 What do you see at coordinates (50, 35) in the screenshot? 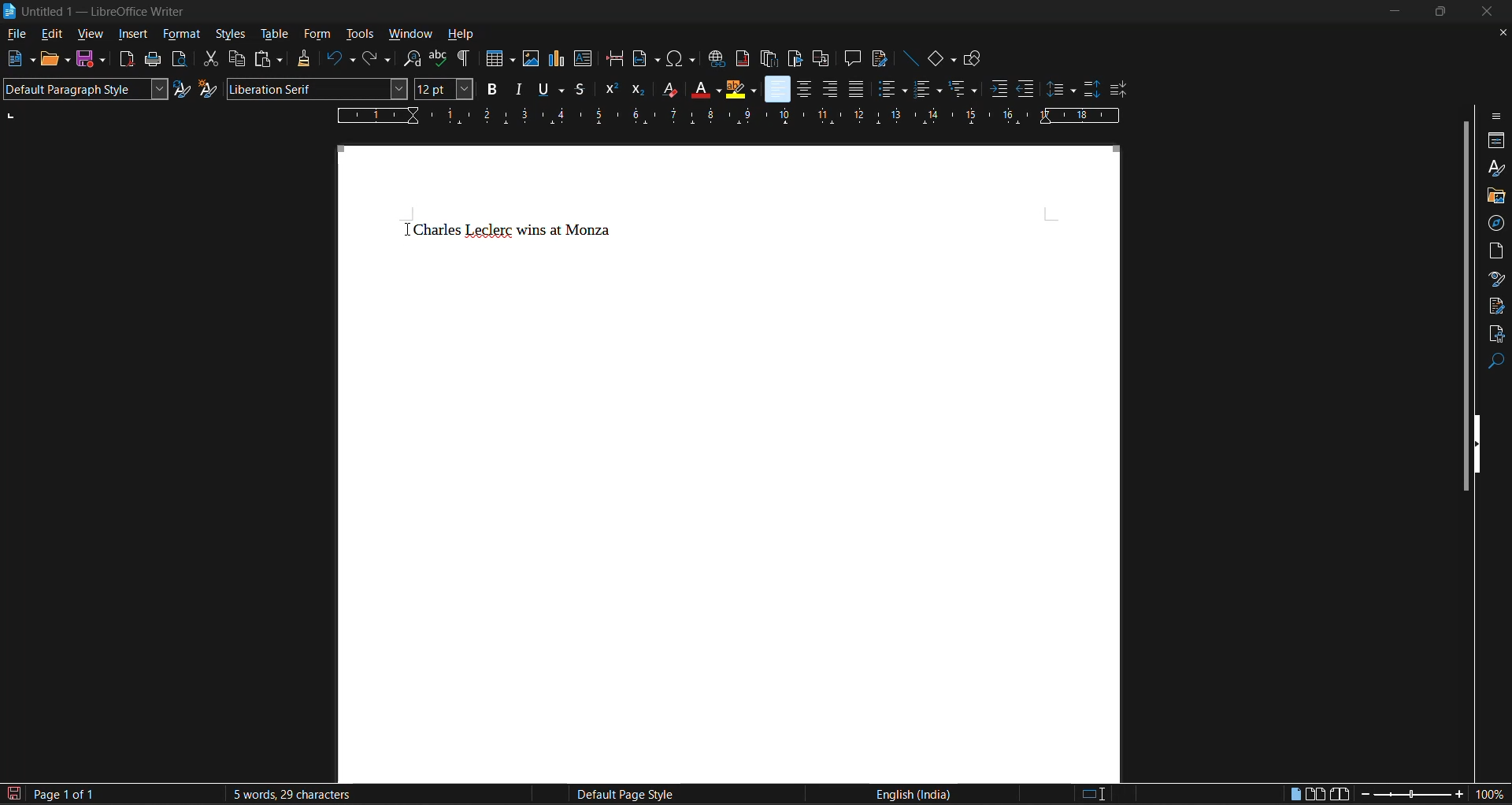
I see `edit` at bounding box center [50, 35].